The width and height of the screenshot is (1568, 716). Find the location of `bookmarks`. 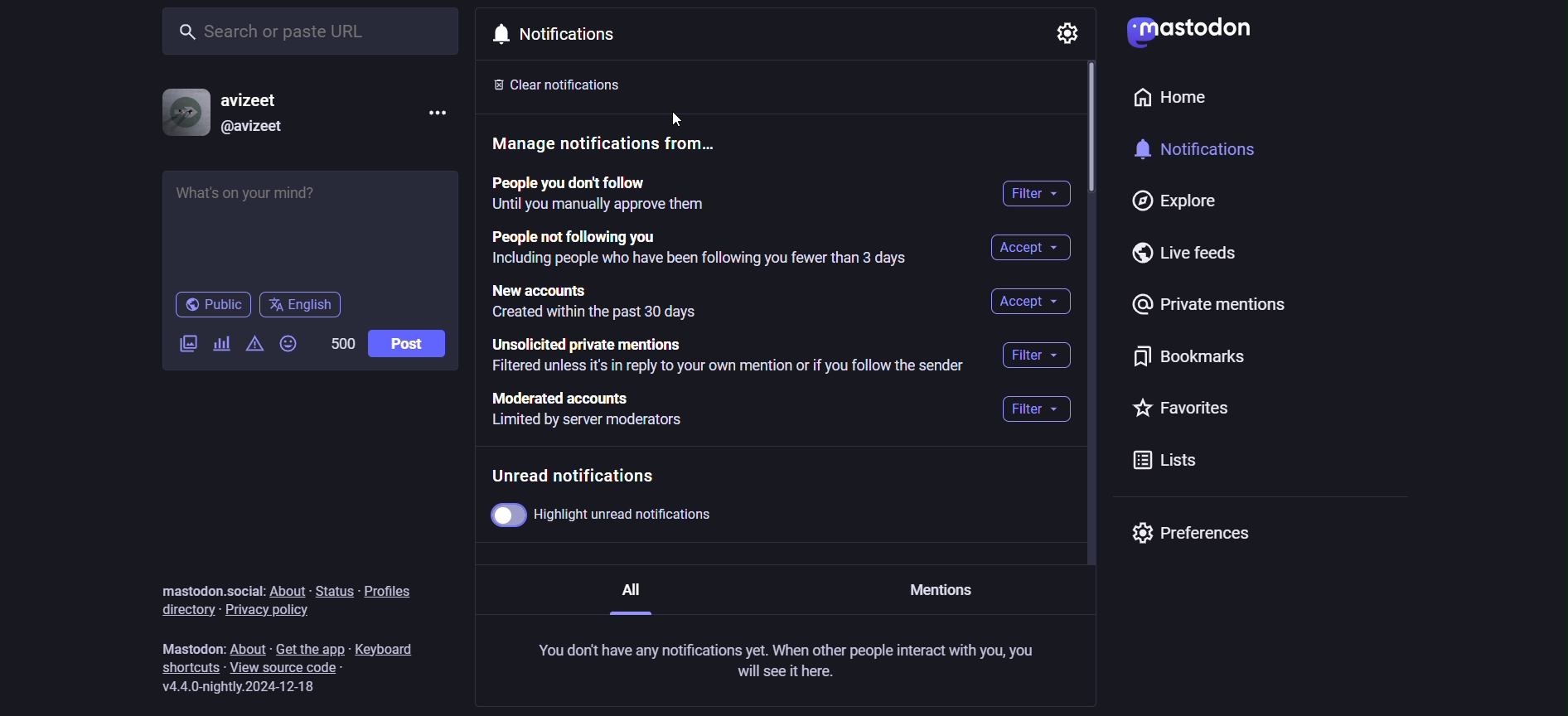

bookmarks is located at coordinates (1184, 361).